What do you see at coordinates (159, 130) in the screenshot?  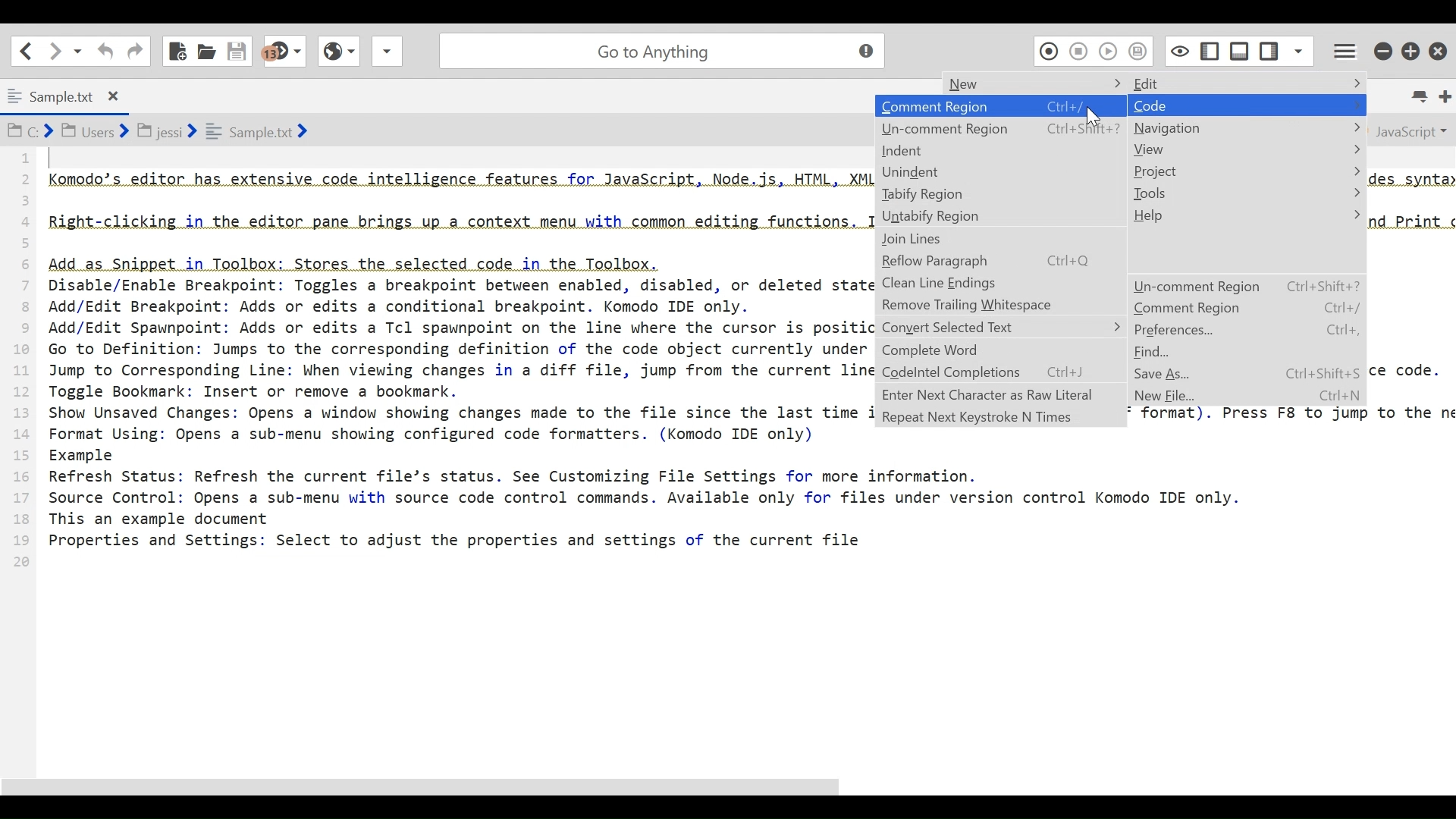 I see `Show in location` at bounding box center [159, 130].